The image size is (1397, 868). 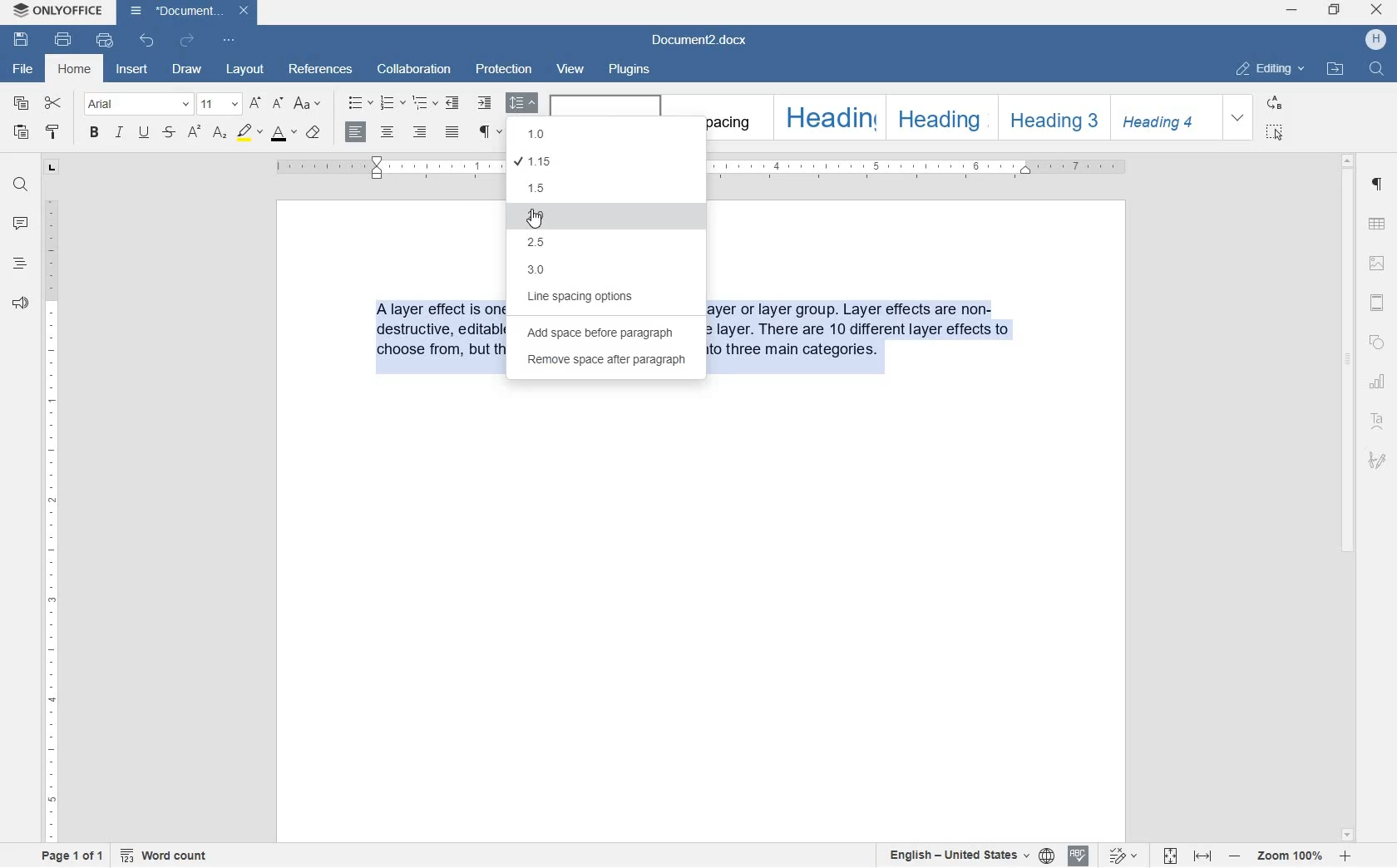 What do you see at coordinates (170, 133) in the screenshot?
I see `strikethrough` at bounding box center [170, 133].